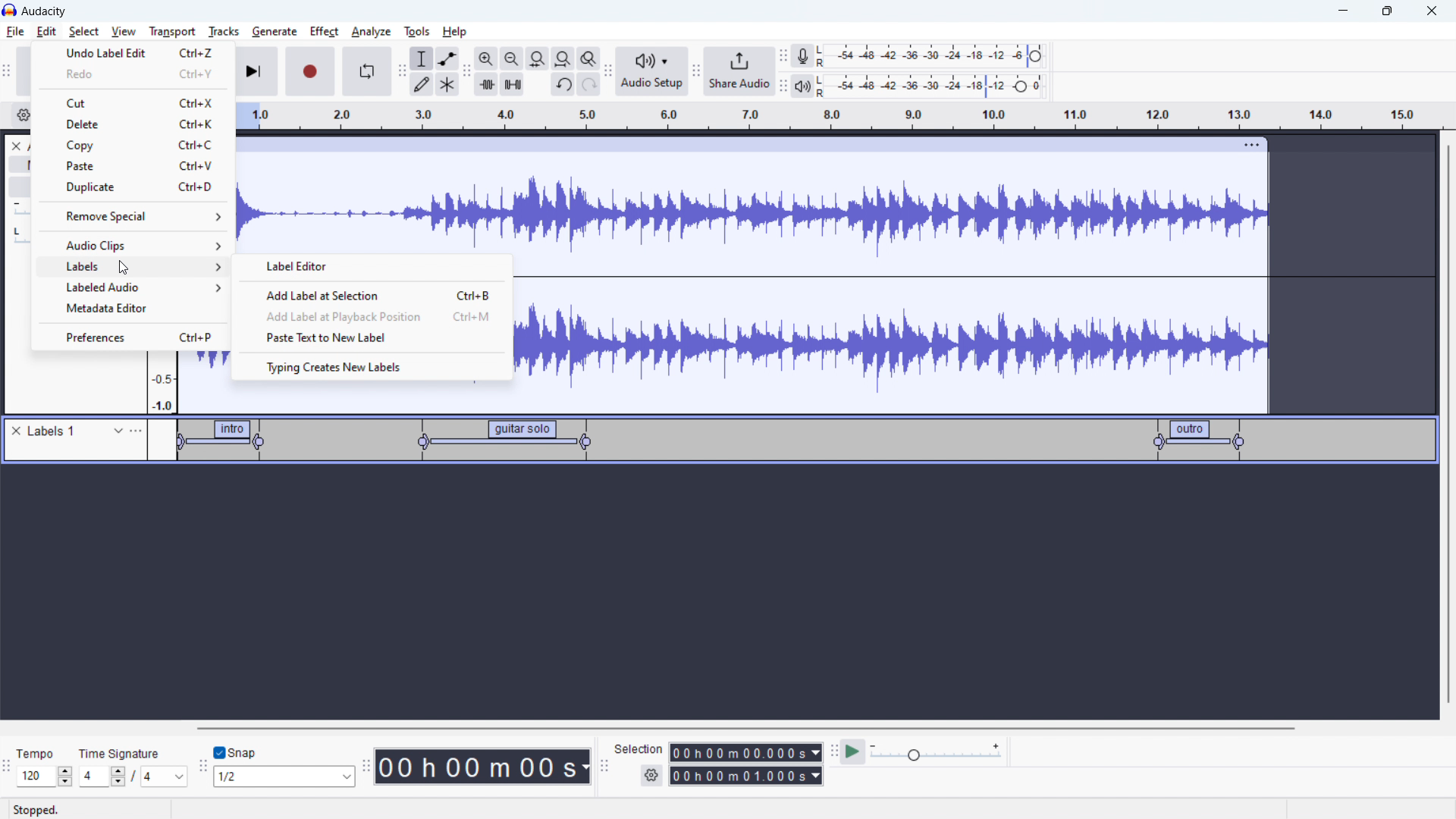 This screenshot has height=819, width=1456. Describe the element at coordinates (9, 770) in the screenshot. I see `time signature toolbar` at that location.